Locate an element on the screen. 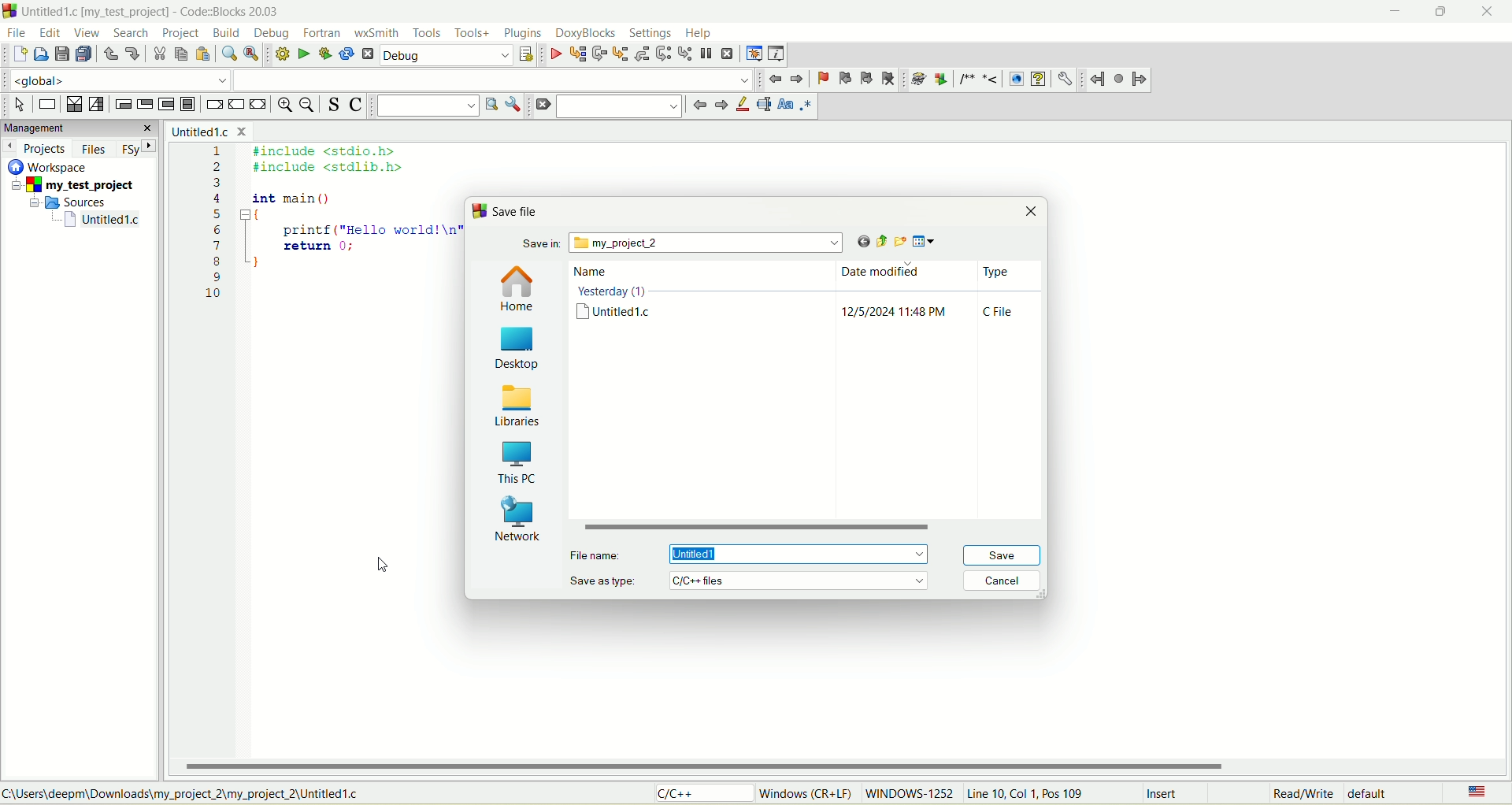  libraries is located at coordinates (518, 403).